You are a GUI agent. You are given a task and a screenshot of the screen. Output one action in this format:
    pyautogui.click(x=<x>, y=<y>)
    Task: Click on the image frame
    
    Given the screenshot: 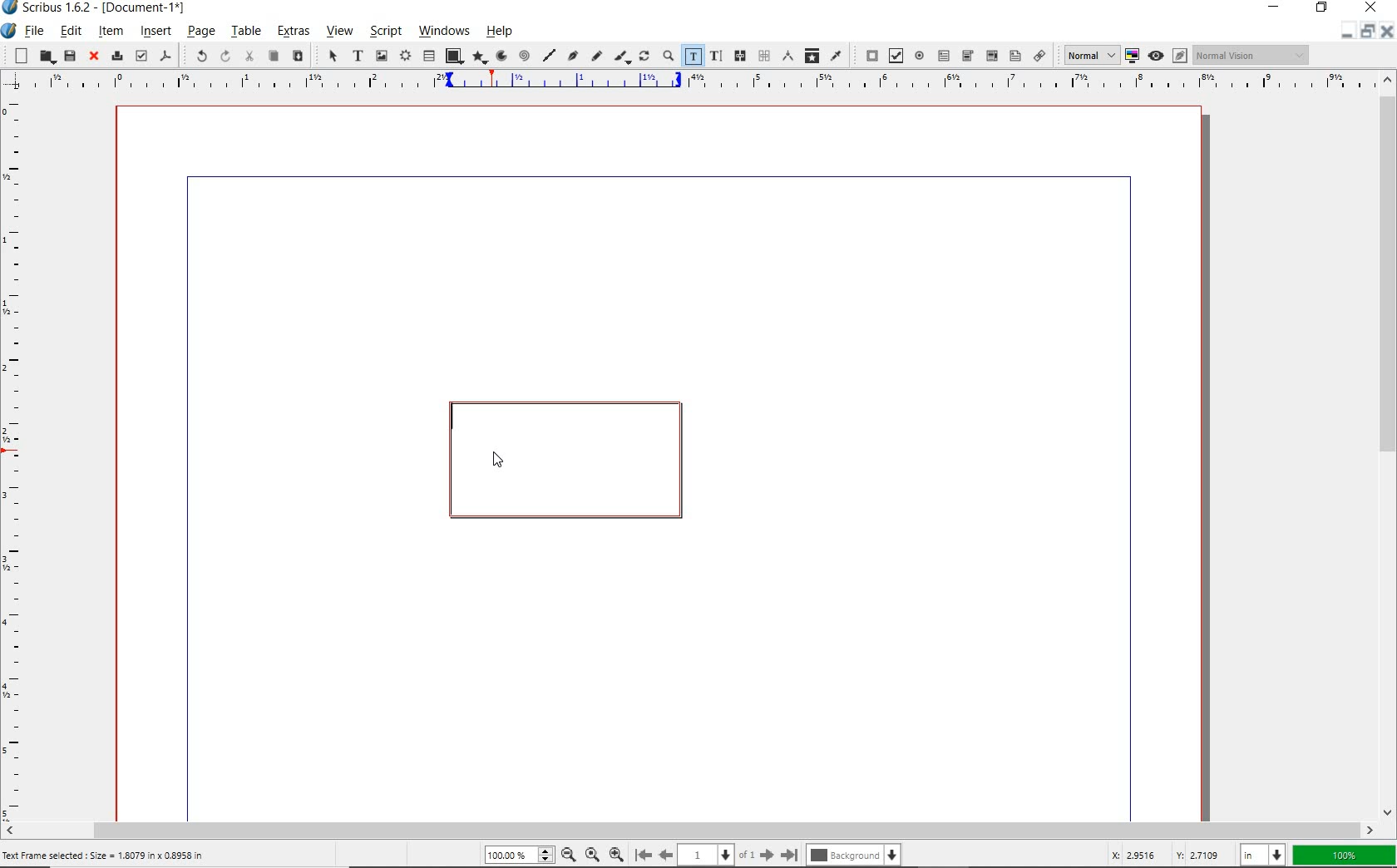 What is the action you would take?
    pyautogui.click(x=381, y=55)
    